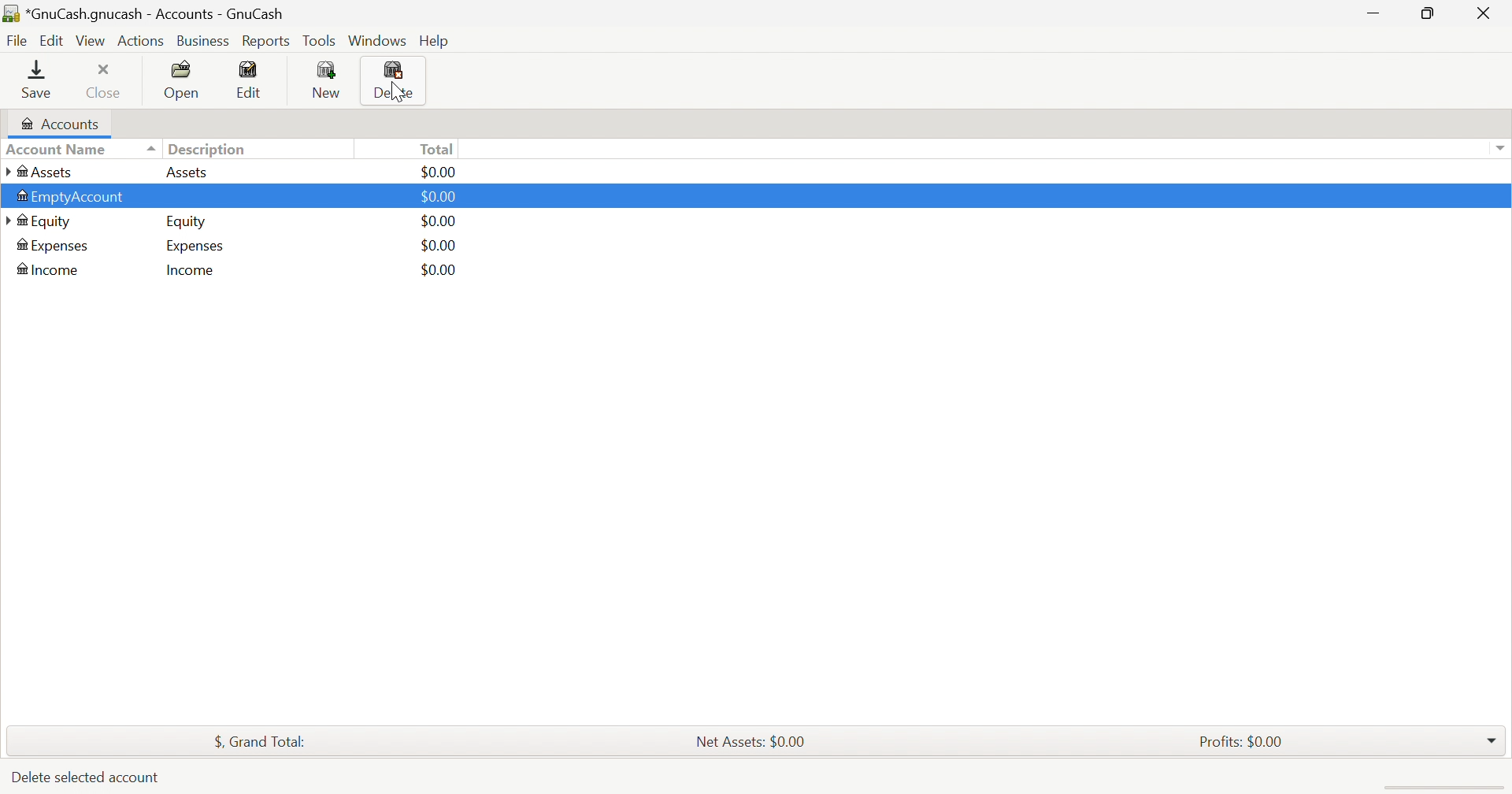 The image size is (1512, 794). I want to click on Edit, so click(253, 80).